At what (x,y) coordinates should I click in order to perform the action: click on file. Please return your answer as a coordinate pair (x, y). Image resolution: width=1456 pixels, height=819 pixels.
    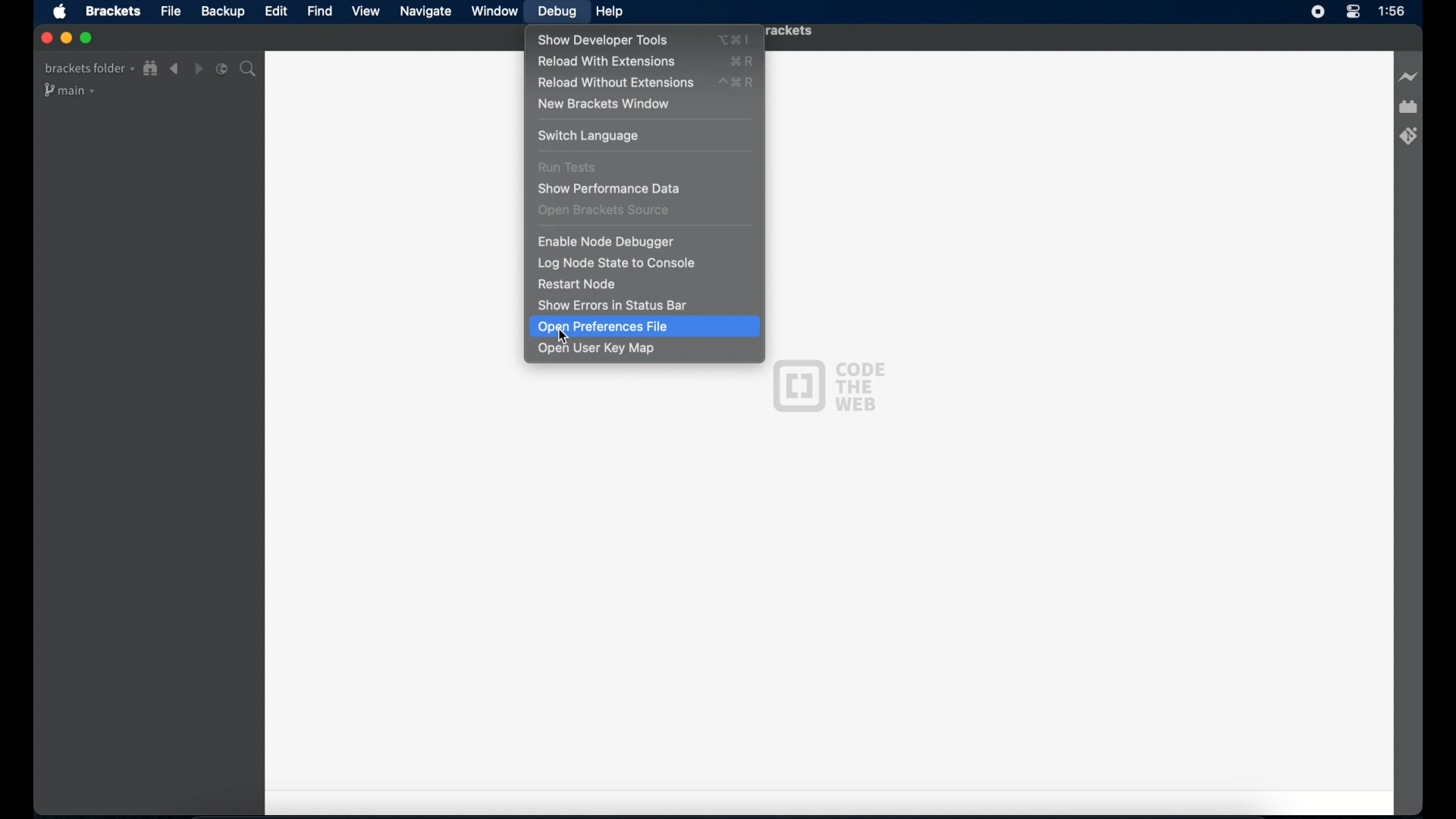
    Looking at the image, I should click on (171, 11).